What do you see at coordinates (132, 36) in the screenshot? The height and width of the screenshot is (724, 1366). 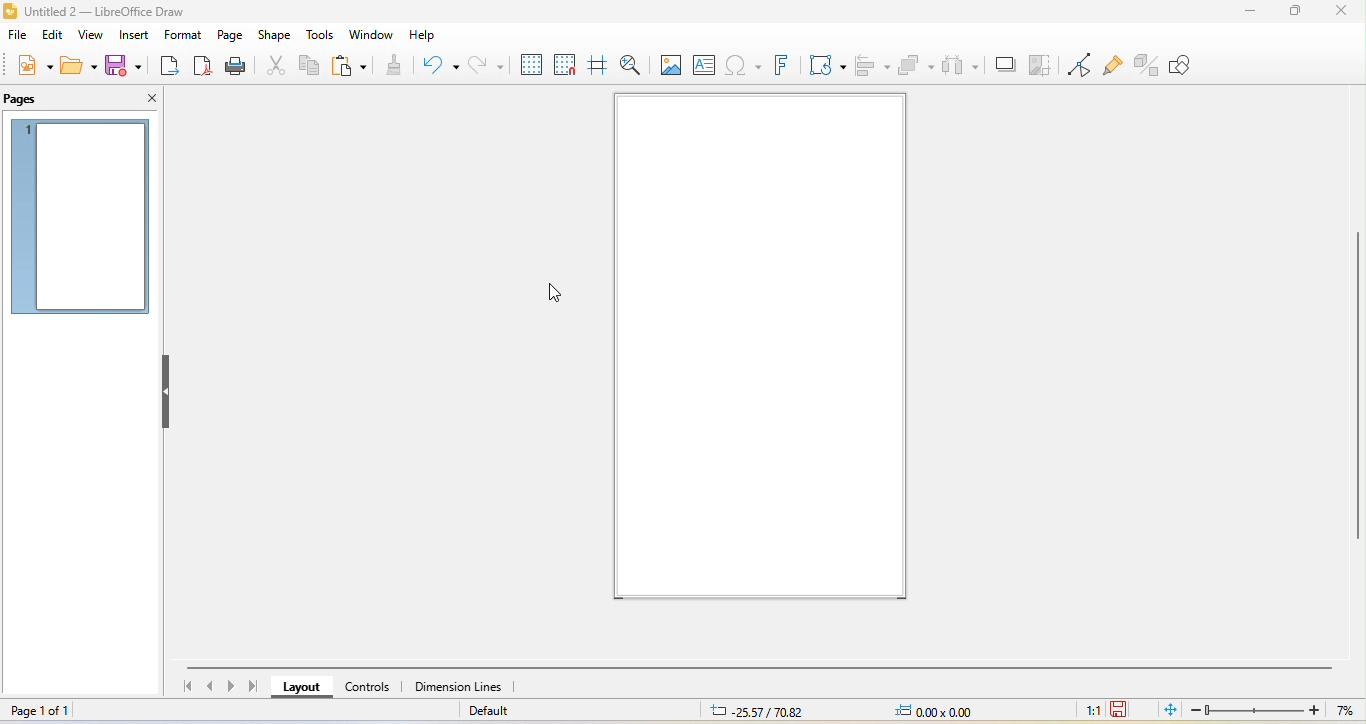 I see `insert` at bounding box center [132, 36].